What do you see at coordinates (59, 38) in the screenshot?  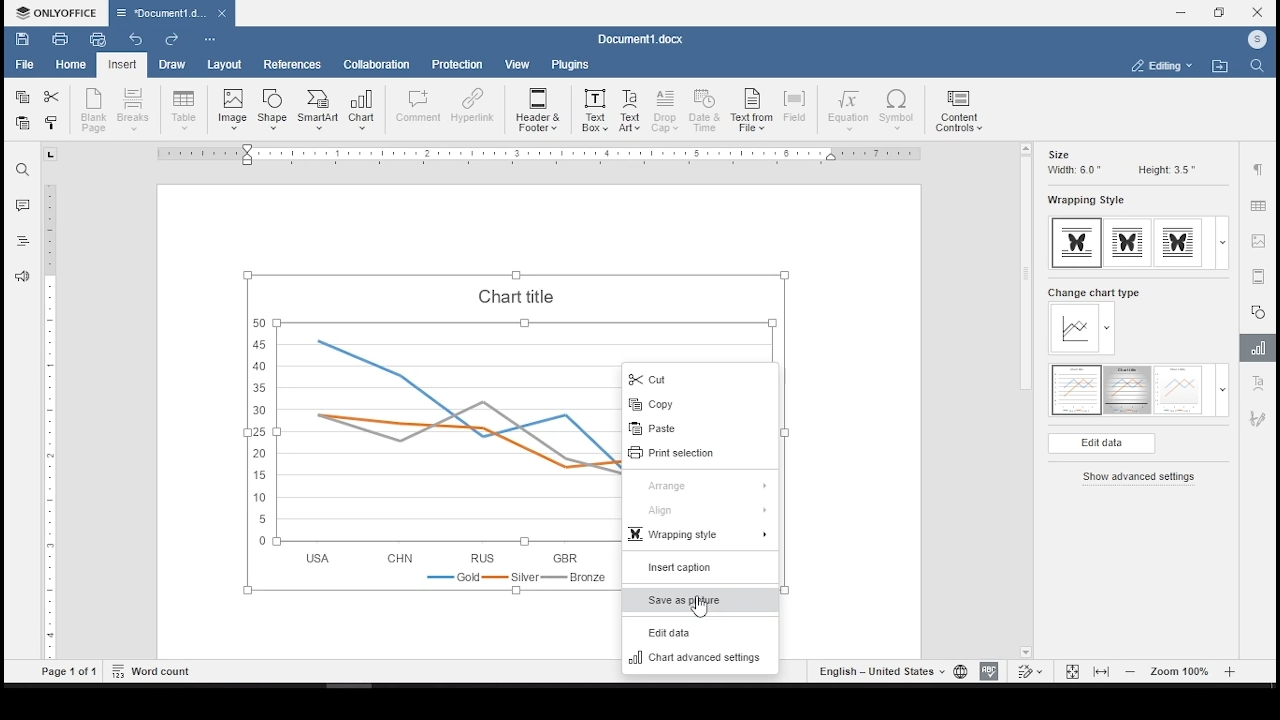 I see `print file` at bounding box center [59, 38].